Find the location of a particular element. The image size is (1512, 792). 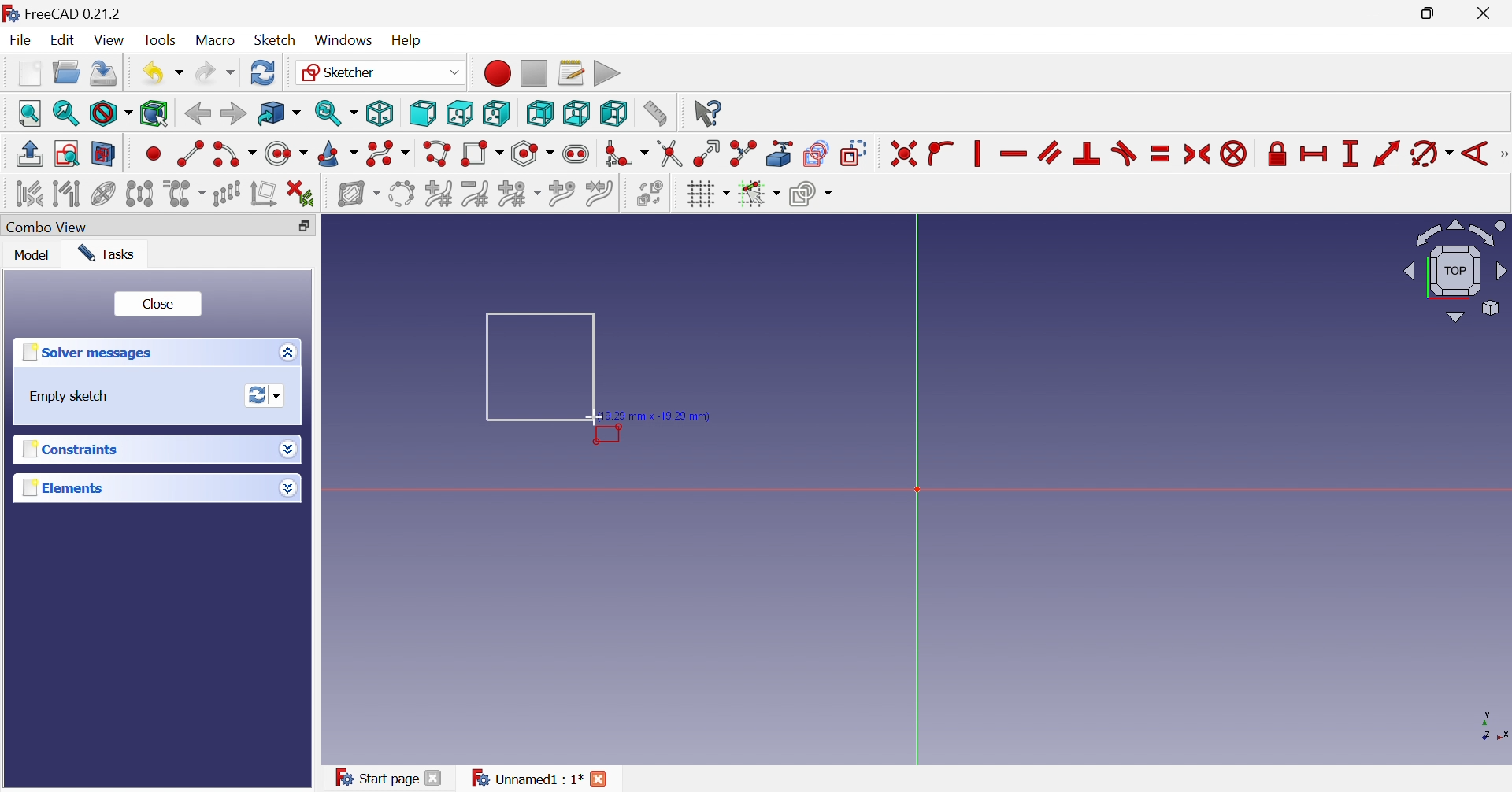

Model is located at coordinates (32, 257).